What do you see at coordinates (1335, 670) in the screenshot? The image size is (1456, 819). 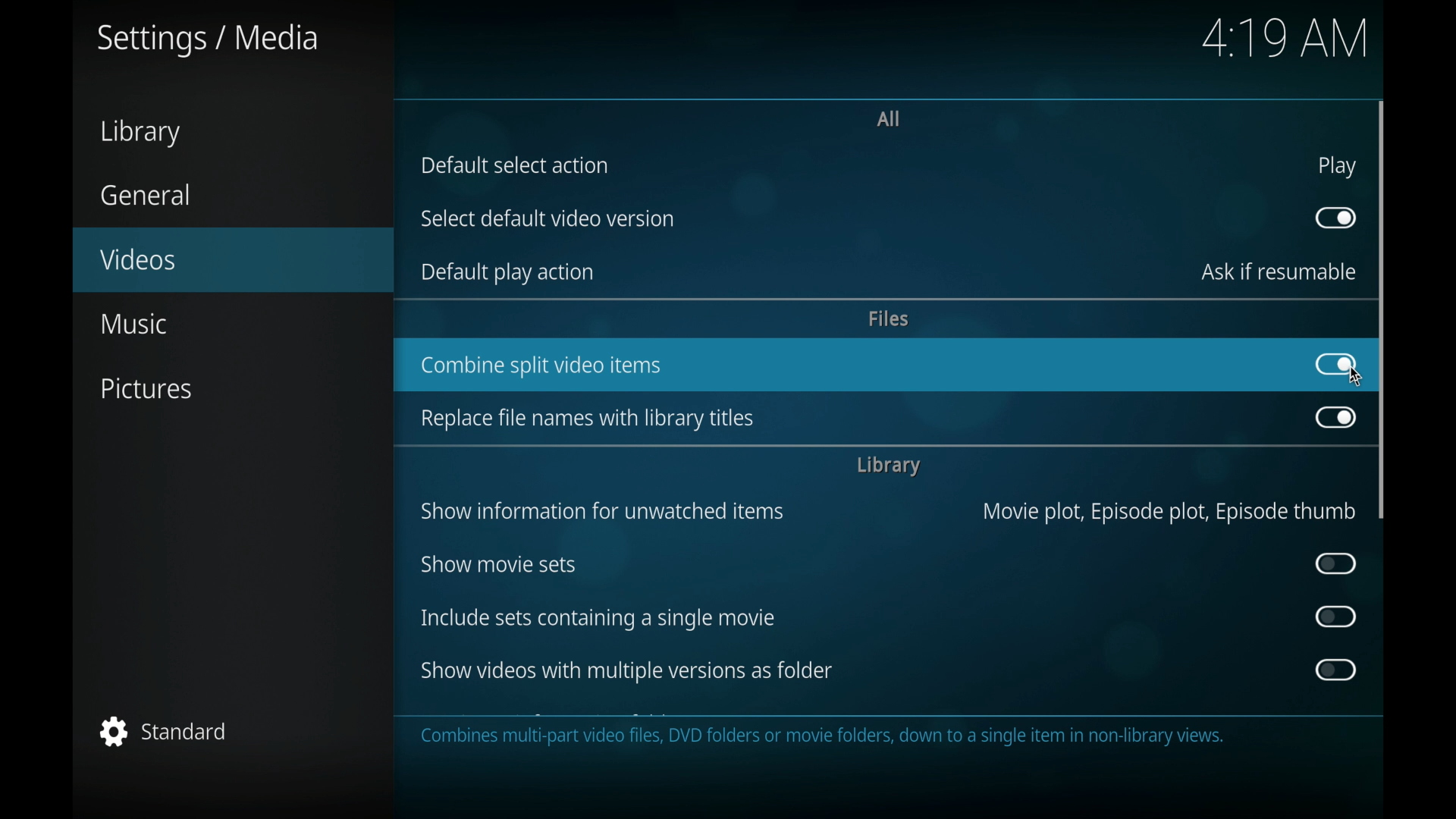 I see `toggle button` at bounding box center [1335, 670].